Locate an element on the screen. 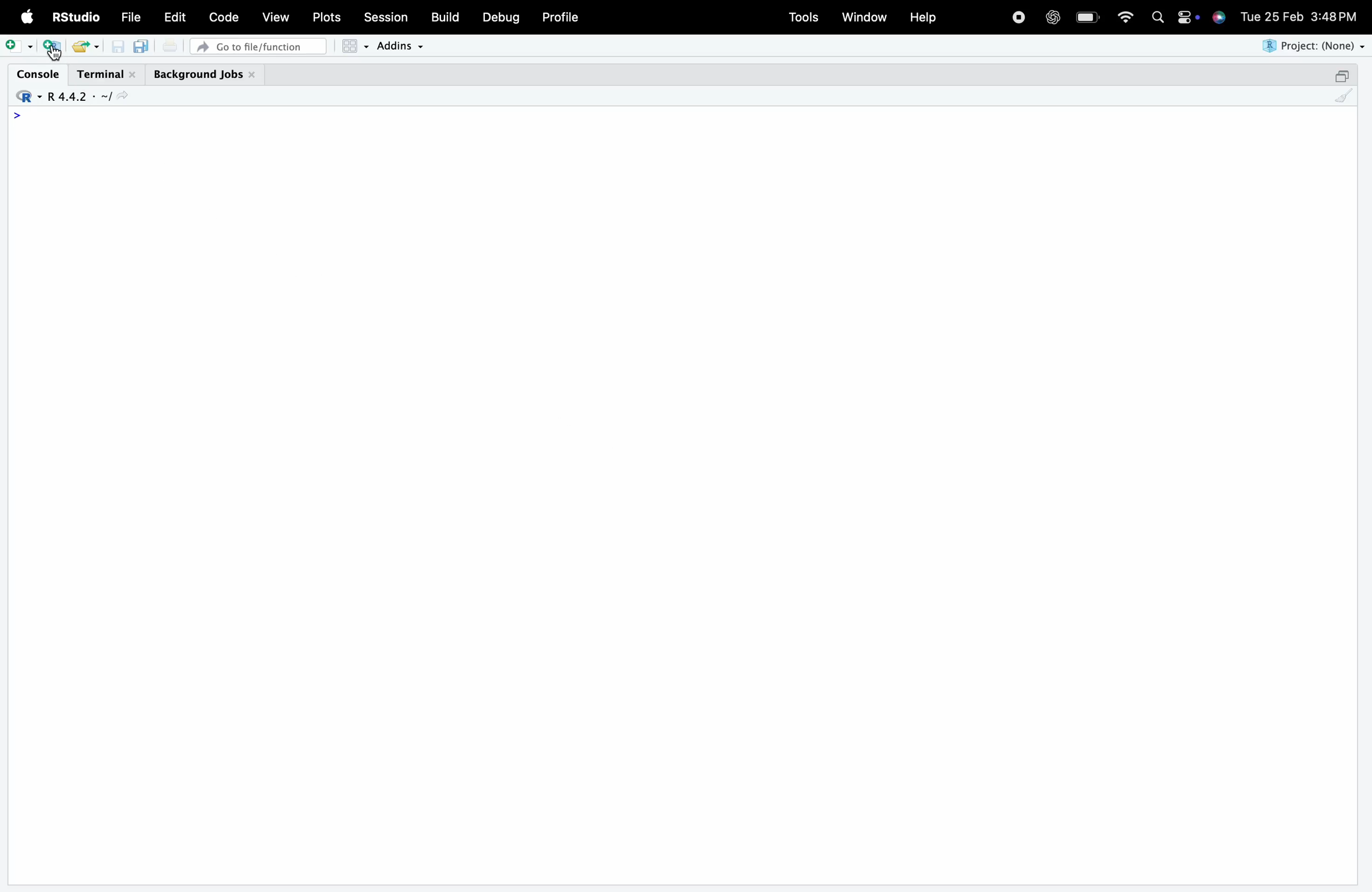 Image resolution: width=1372 pixels, height=892 pixels. Debug is located at coordinates (502, 17).